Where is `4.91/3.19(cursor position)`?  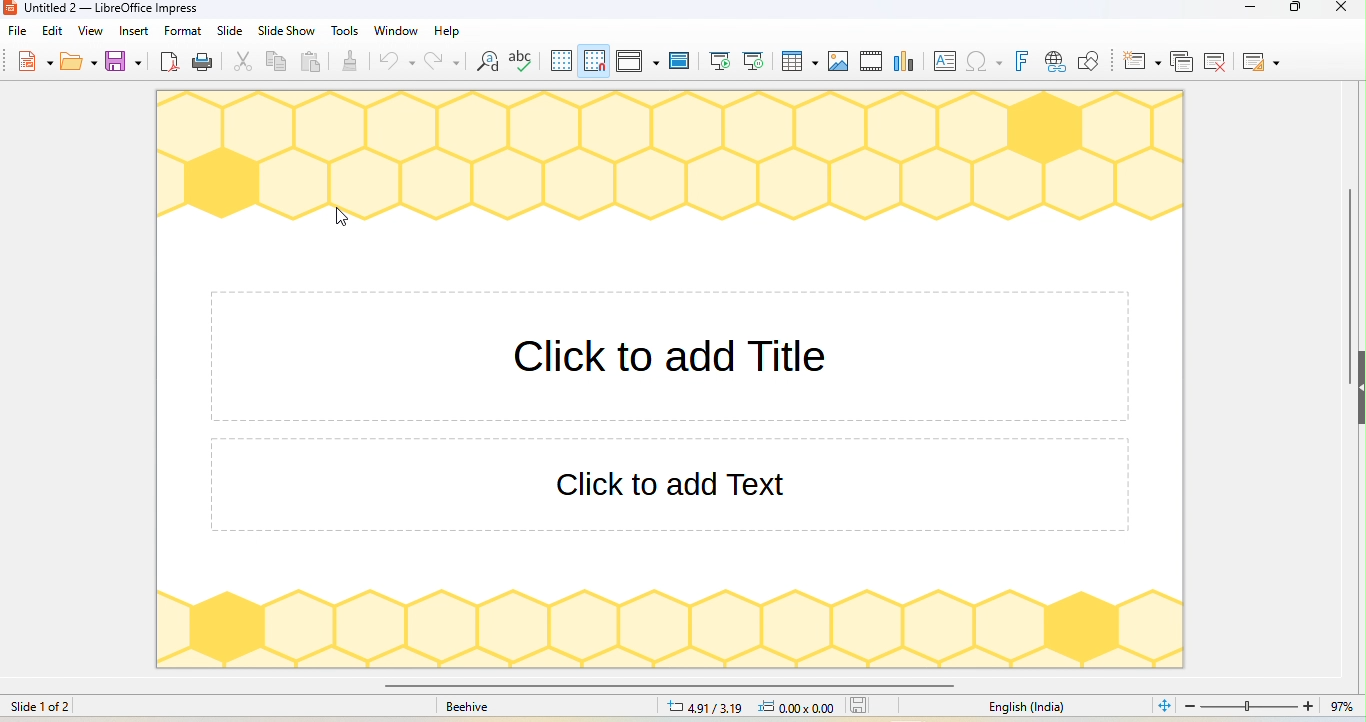
4.91/3.19(cursor position) is located at coordinates (705, 708).